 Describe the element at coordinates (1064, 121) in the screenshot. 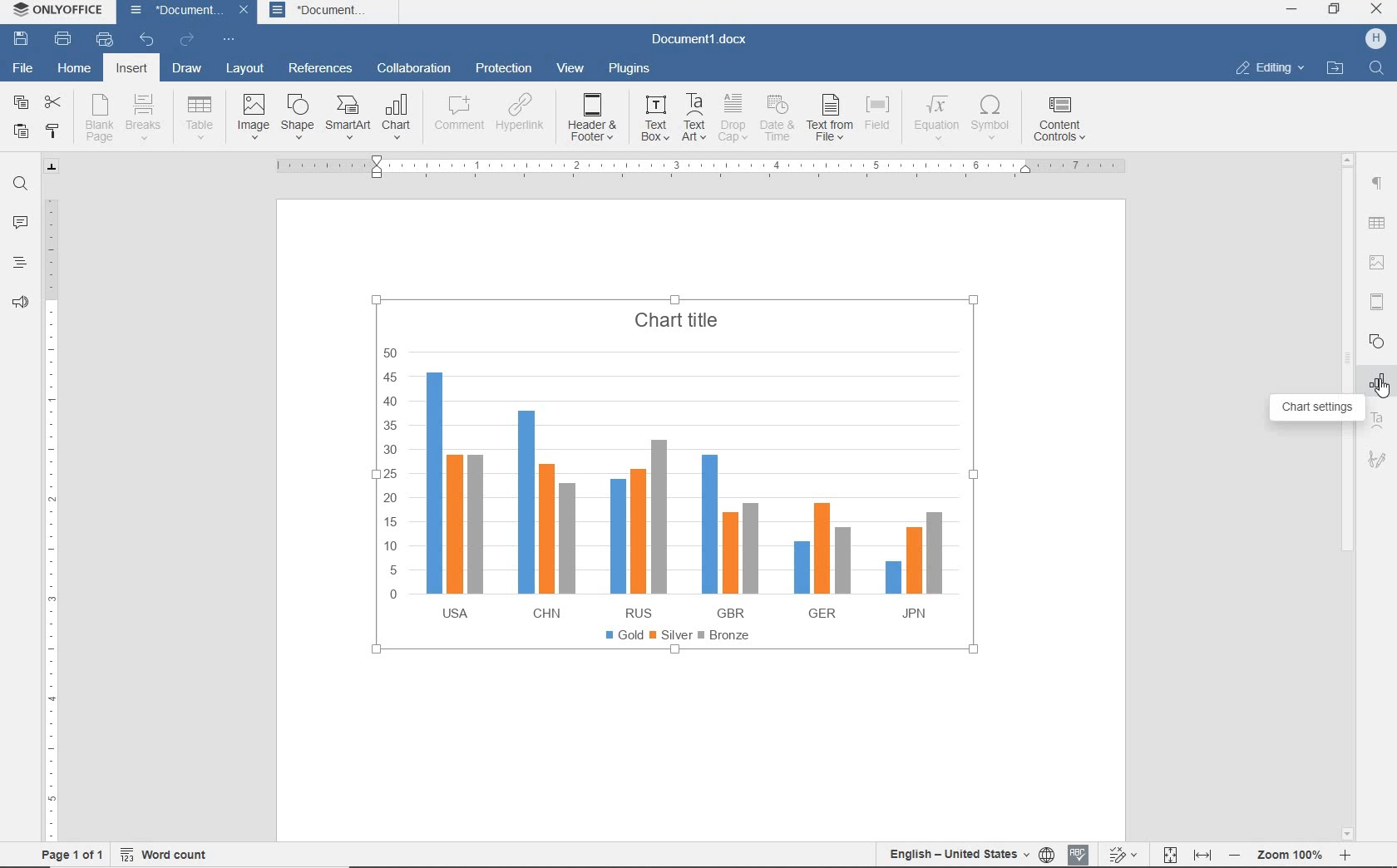

I see `comment controls` at that location.